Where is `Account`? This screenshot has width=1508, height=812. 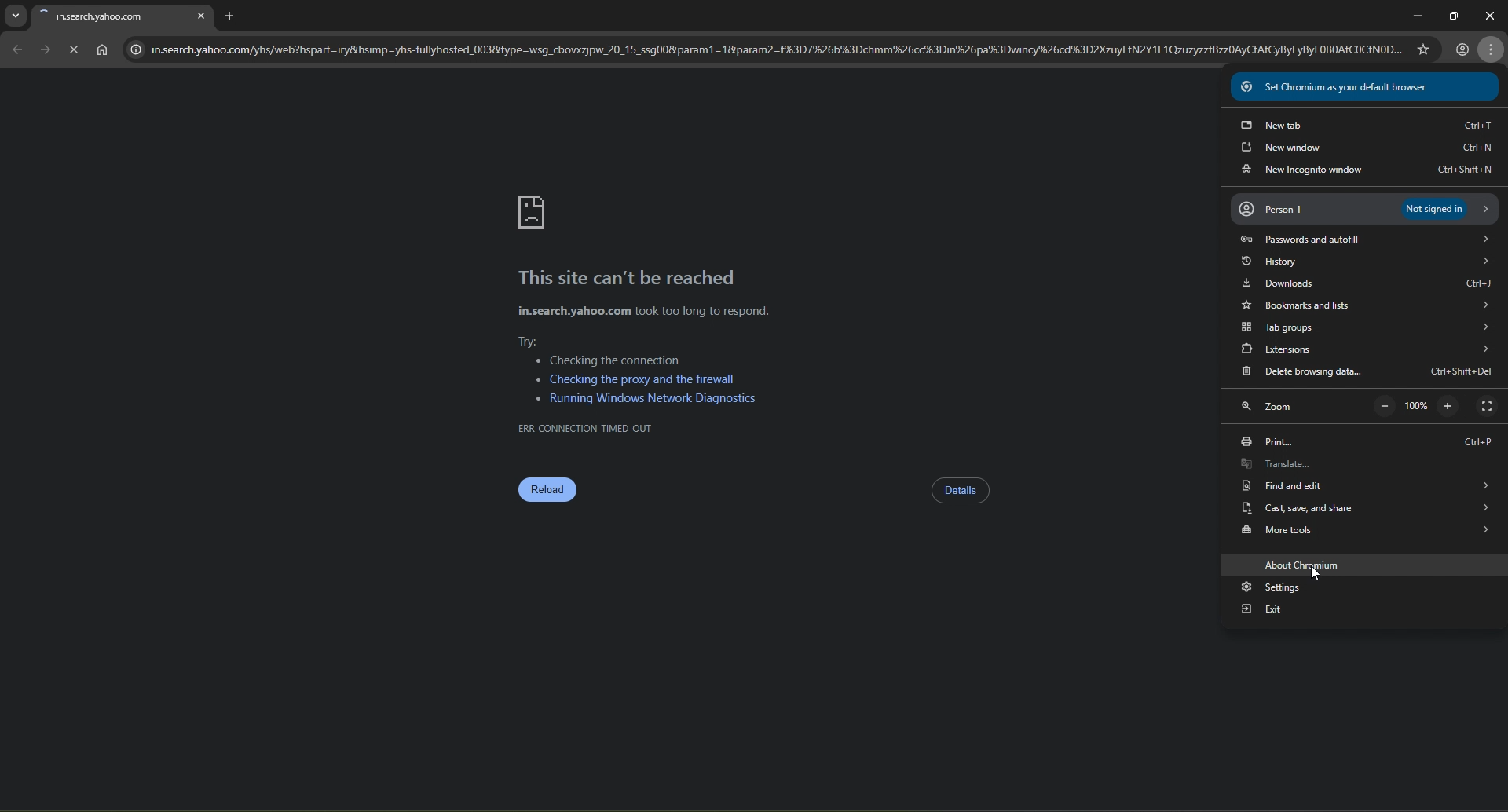 Account is located at coordinates (1462, 49).